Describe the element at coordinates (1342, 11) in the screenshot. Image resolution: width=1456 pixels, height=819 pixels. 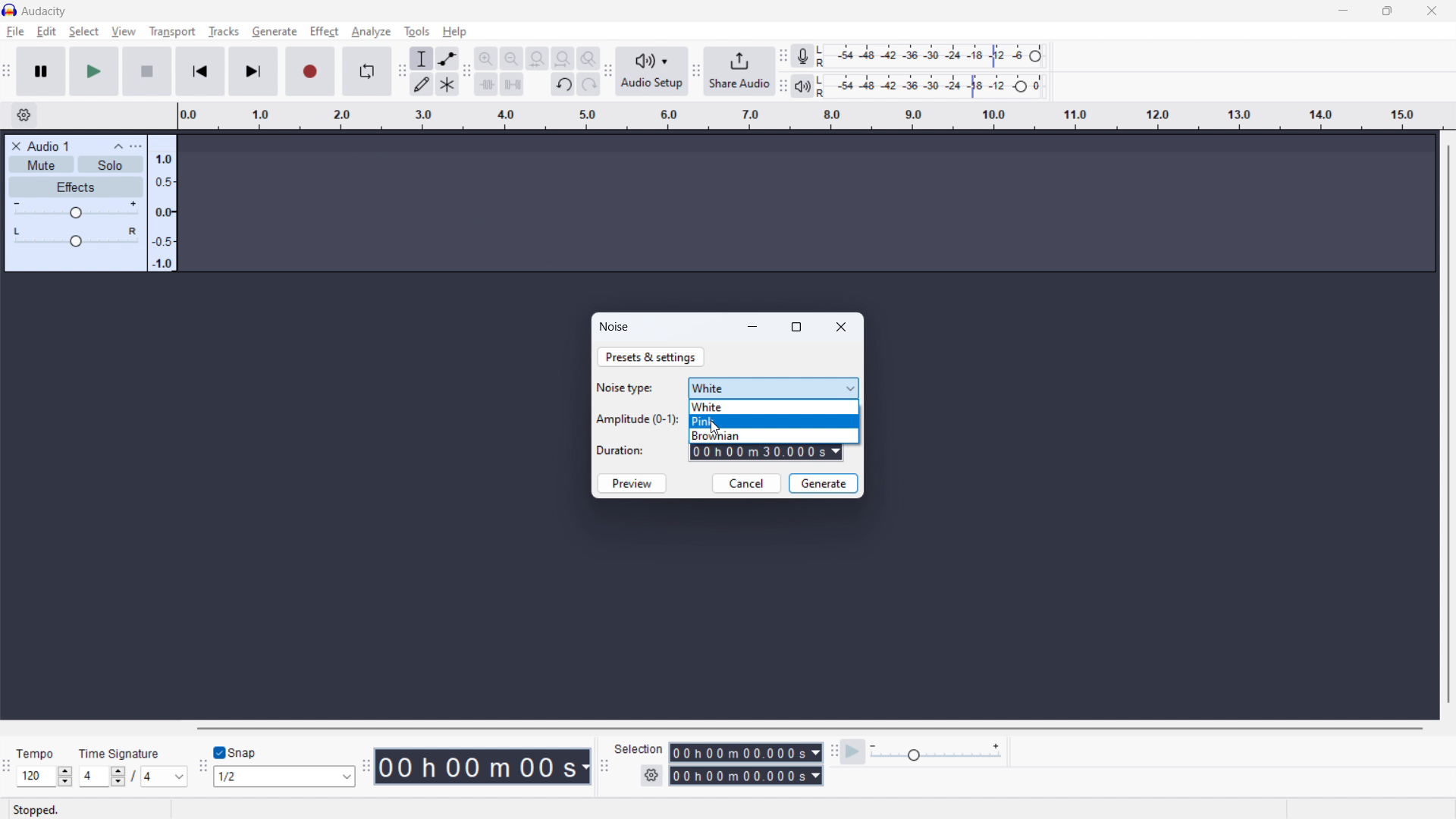
I see `minimize` at that location.